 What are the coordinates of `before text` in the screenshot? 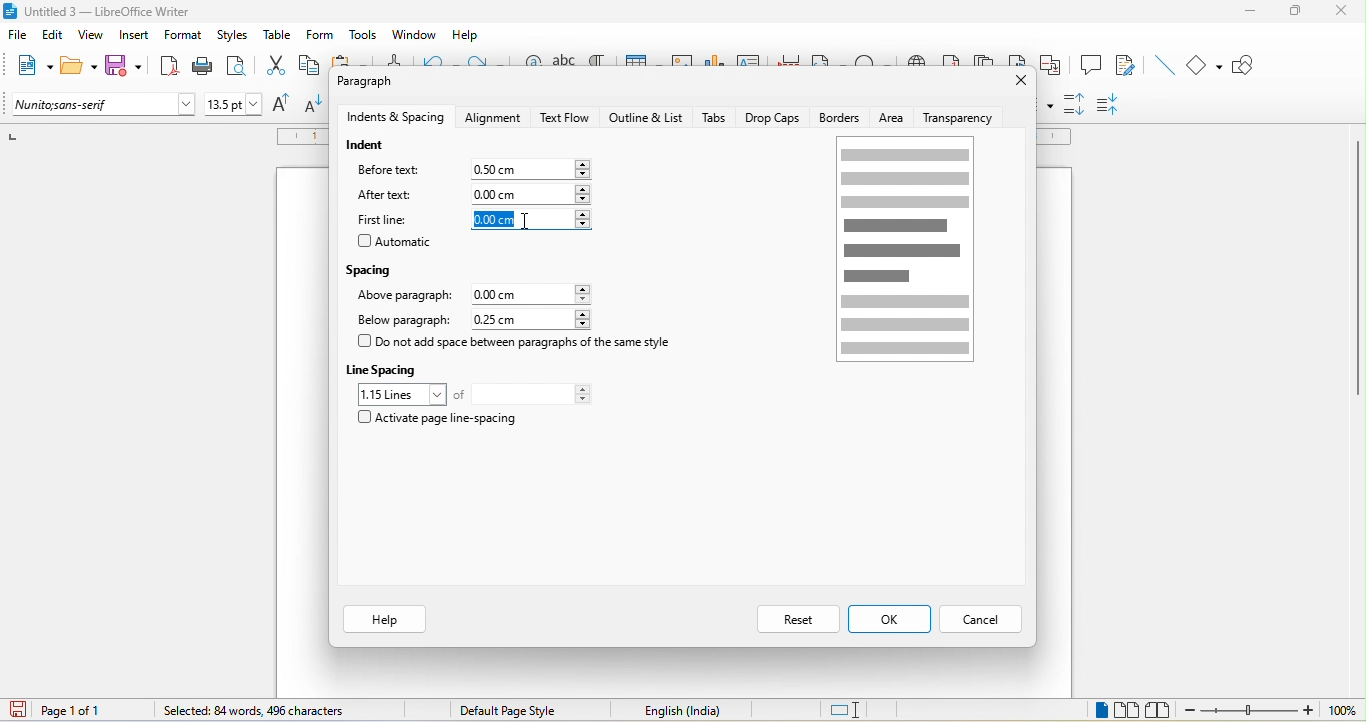 It's located at (391, 170).